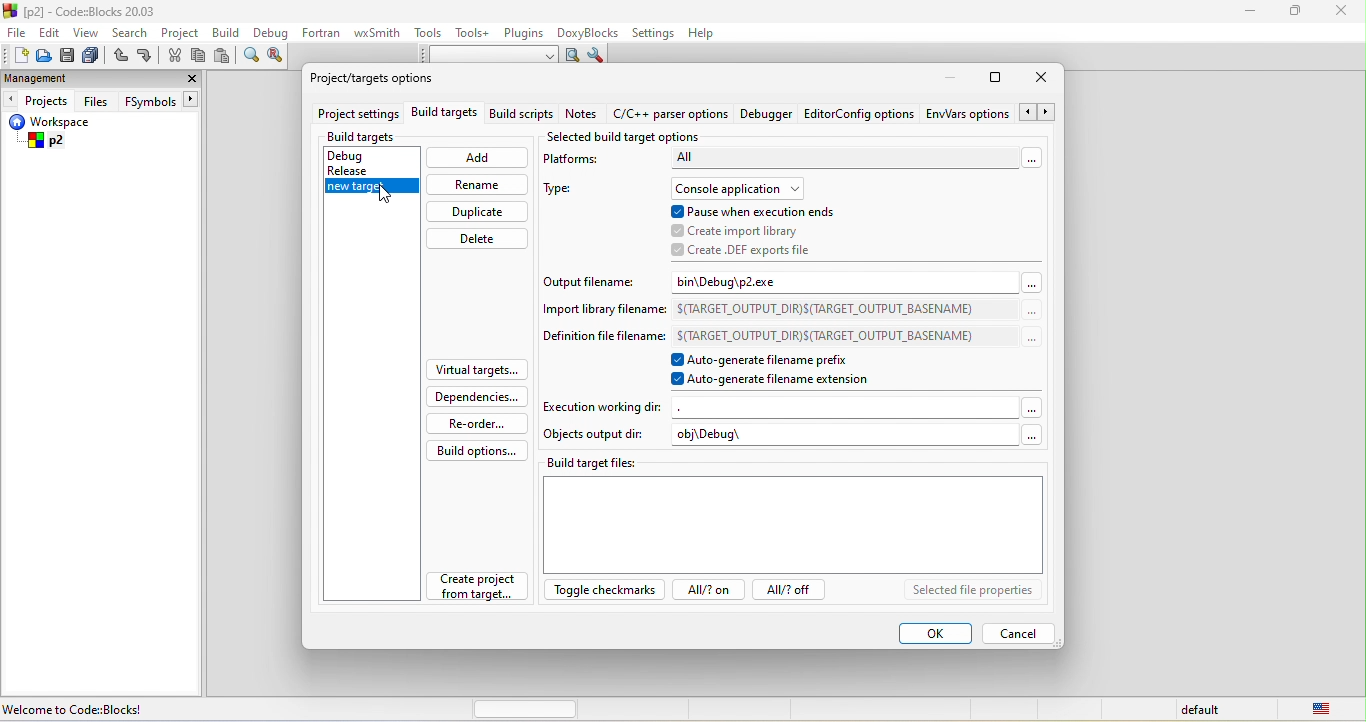 The image size is (1366, 722). I want to click on copy, so click(199, 56).